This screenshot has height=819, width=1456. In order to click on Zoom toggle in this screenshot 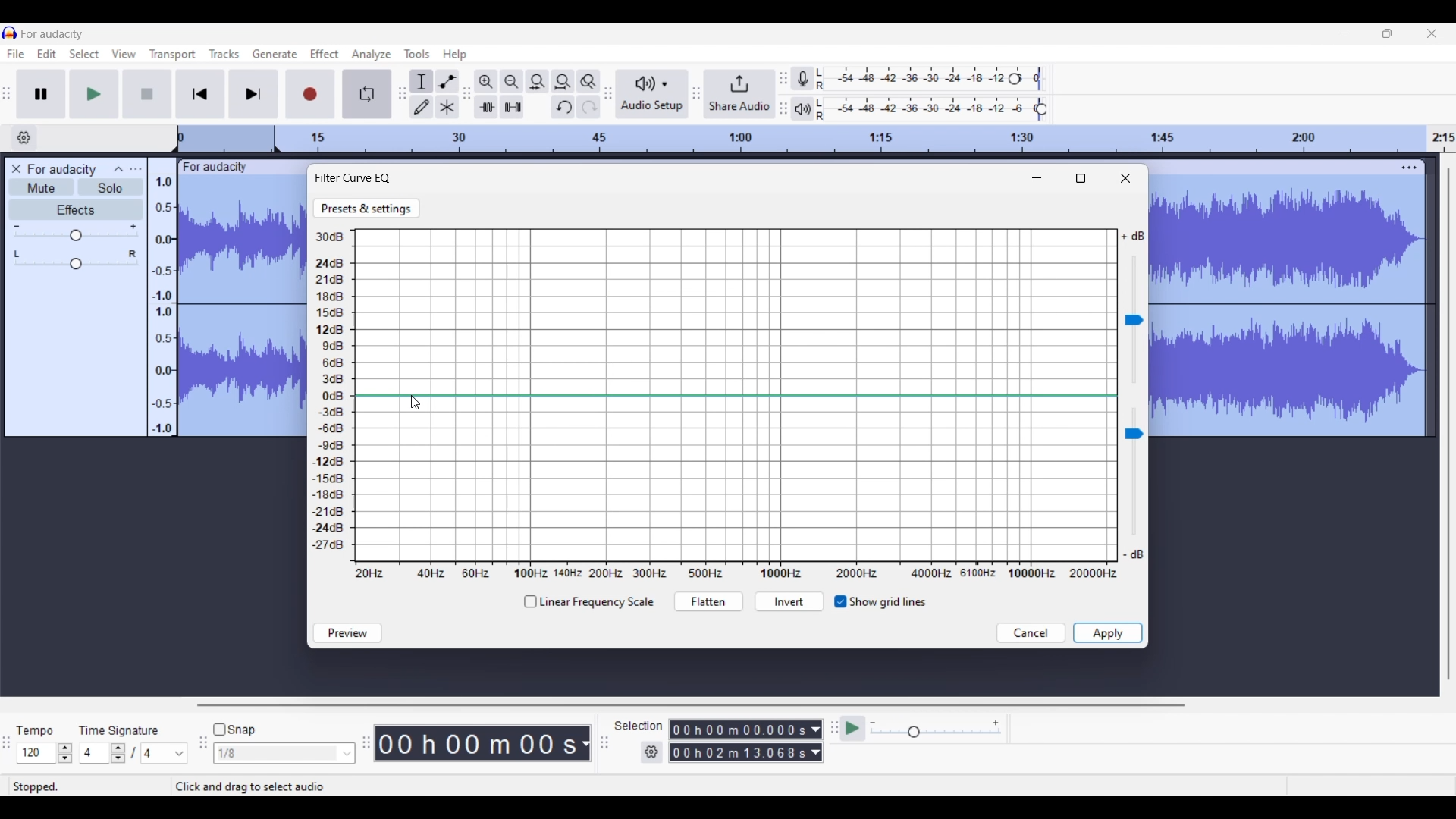, I will do `click(589, 81)`.